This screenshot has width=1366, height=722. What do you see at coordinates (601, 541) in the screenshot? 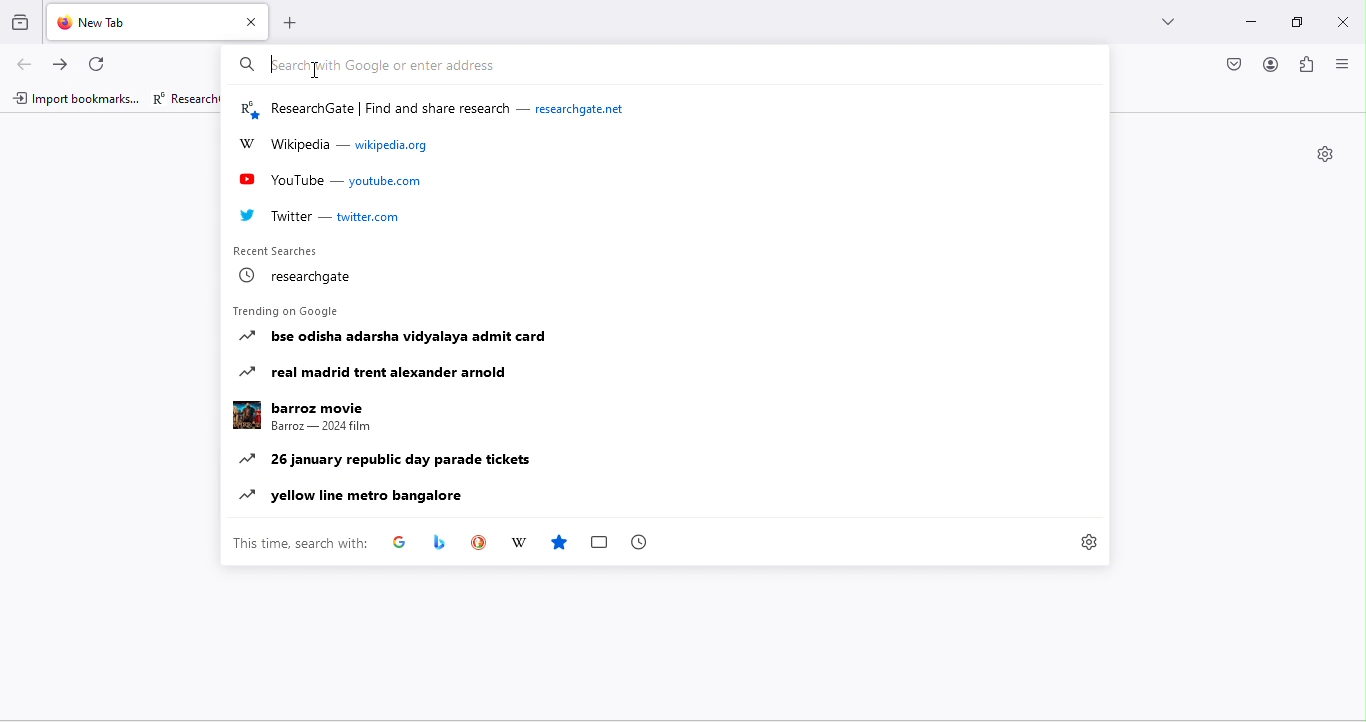
I see `box` at bounding box center [601, 541].